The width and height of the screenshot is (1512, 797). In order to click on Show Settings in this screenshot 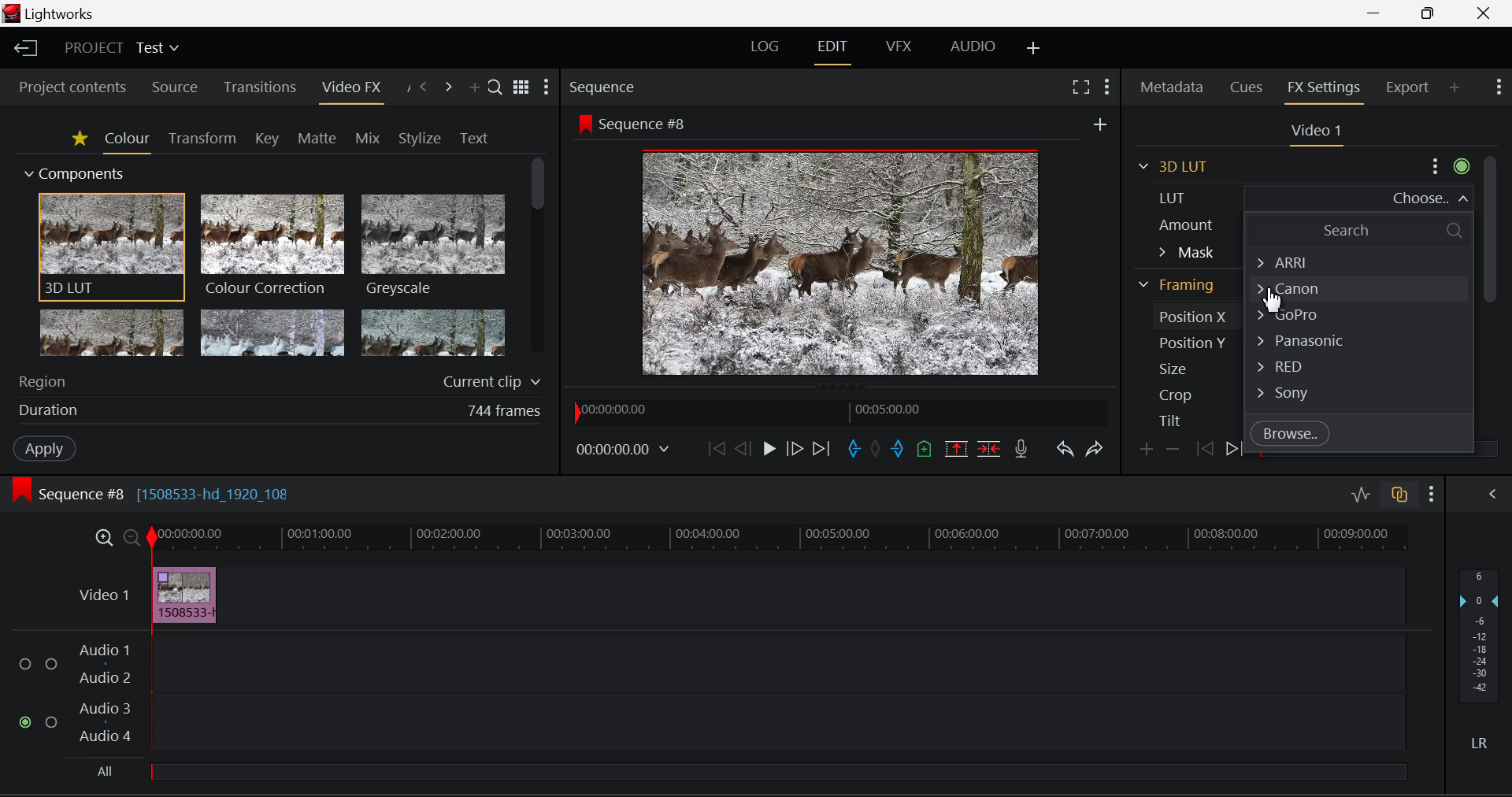, I will do `click(1106, 85)`.